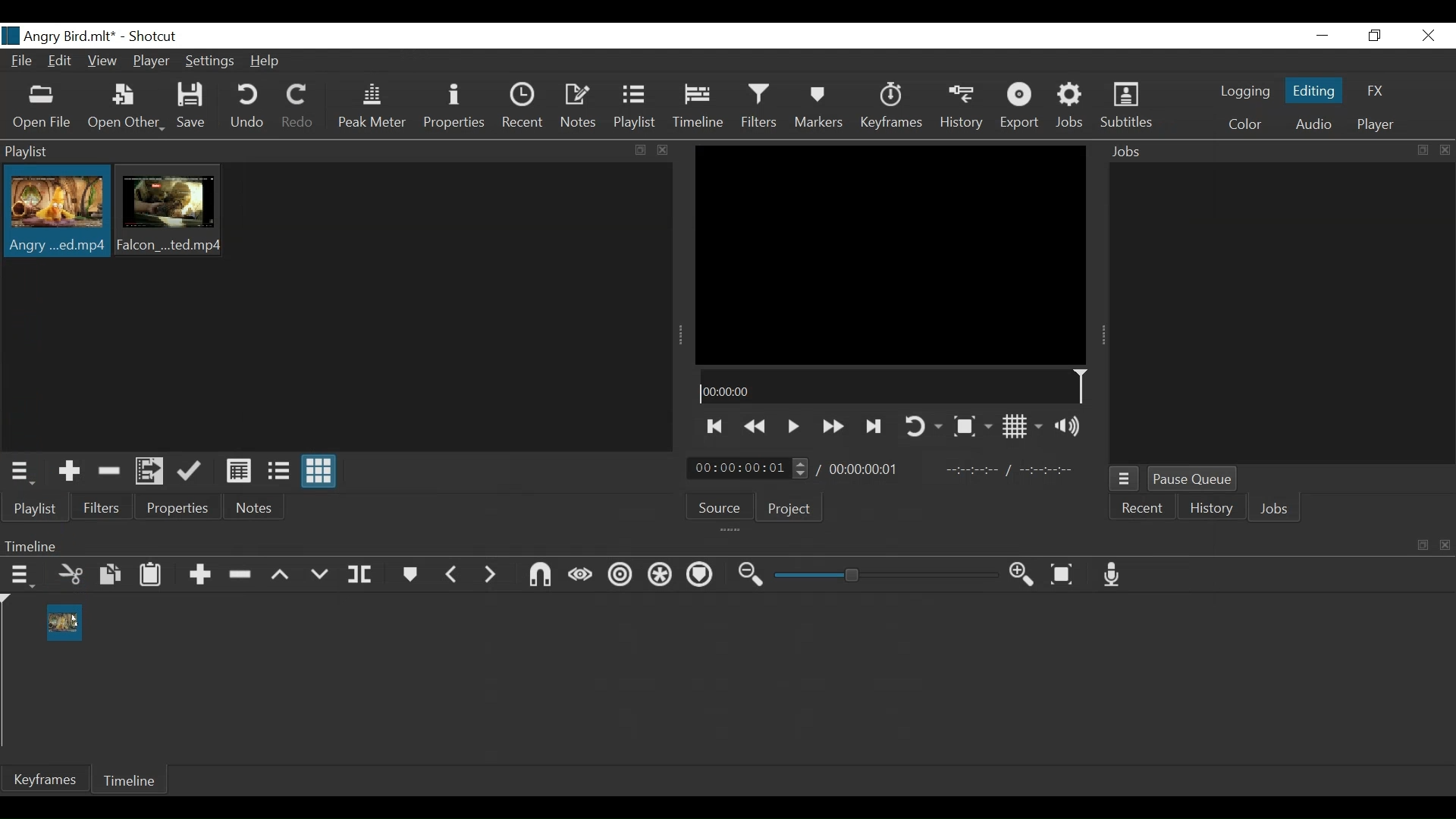  I want to click on Show volume control, so click(1072, 425).